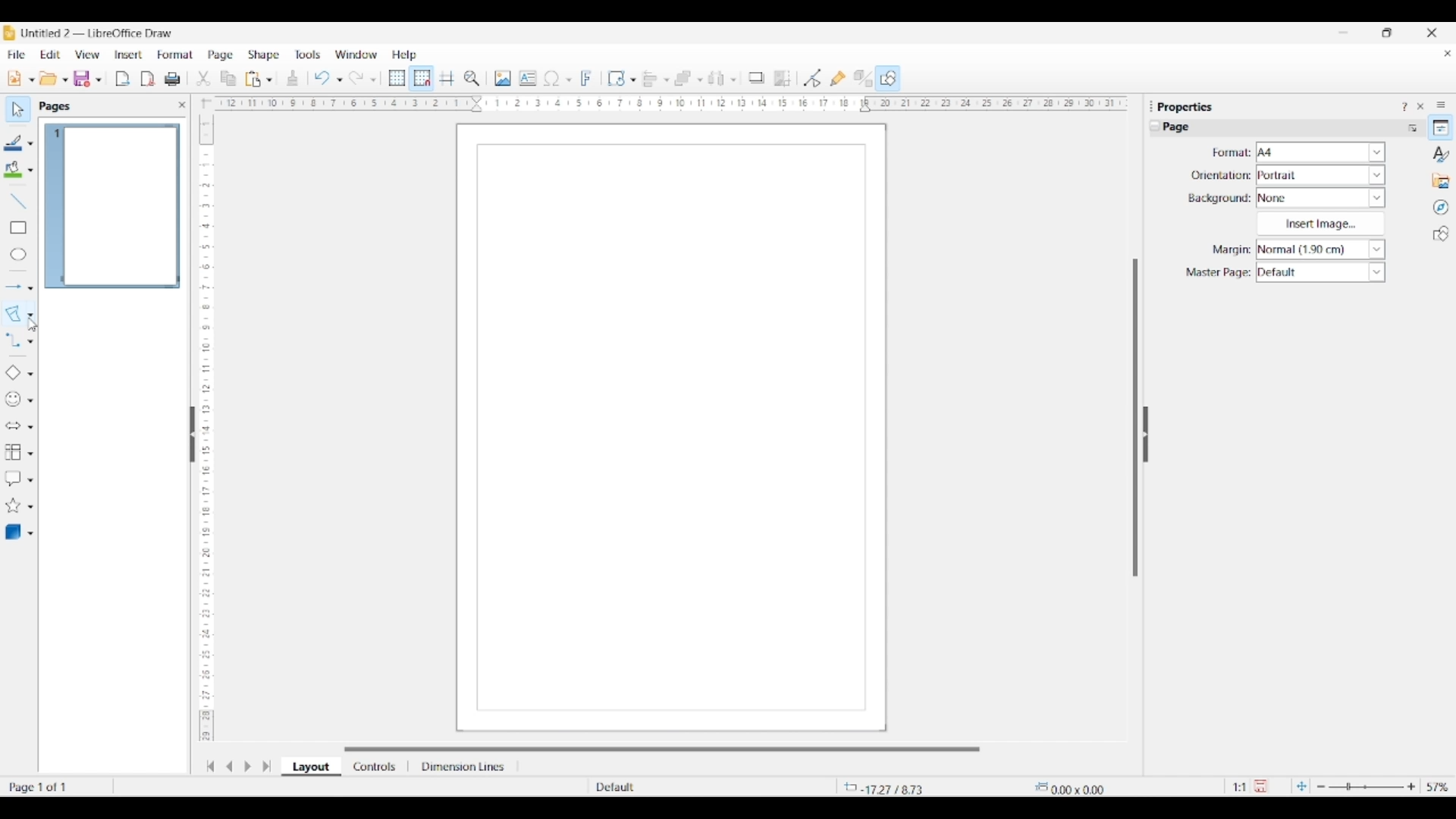  What do you see at coordinates (11, 400) in the screenshot?
I see `Selected symbol` at bounding box center [11, 400].